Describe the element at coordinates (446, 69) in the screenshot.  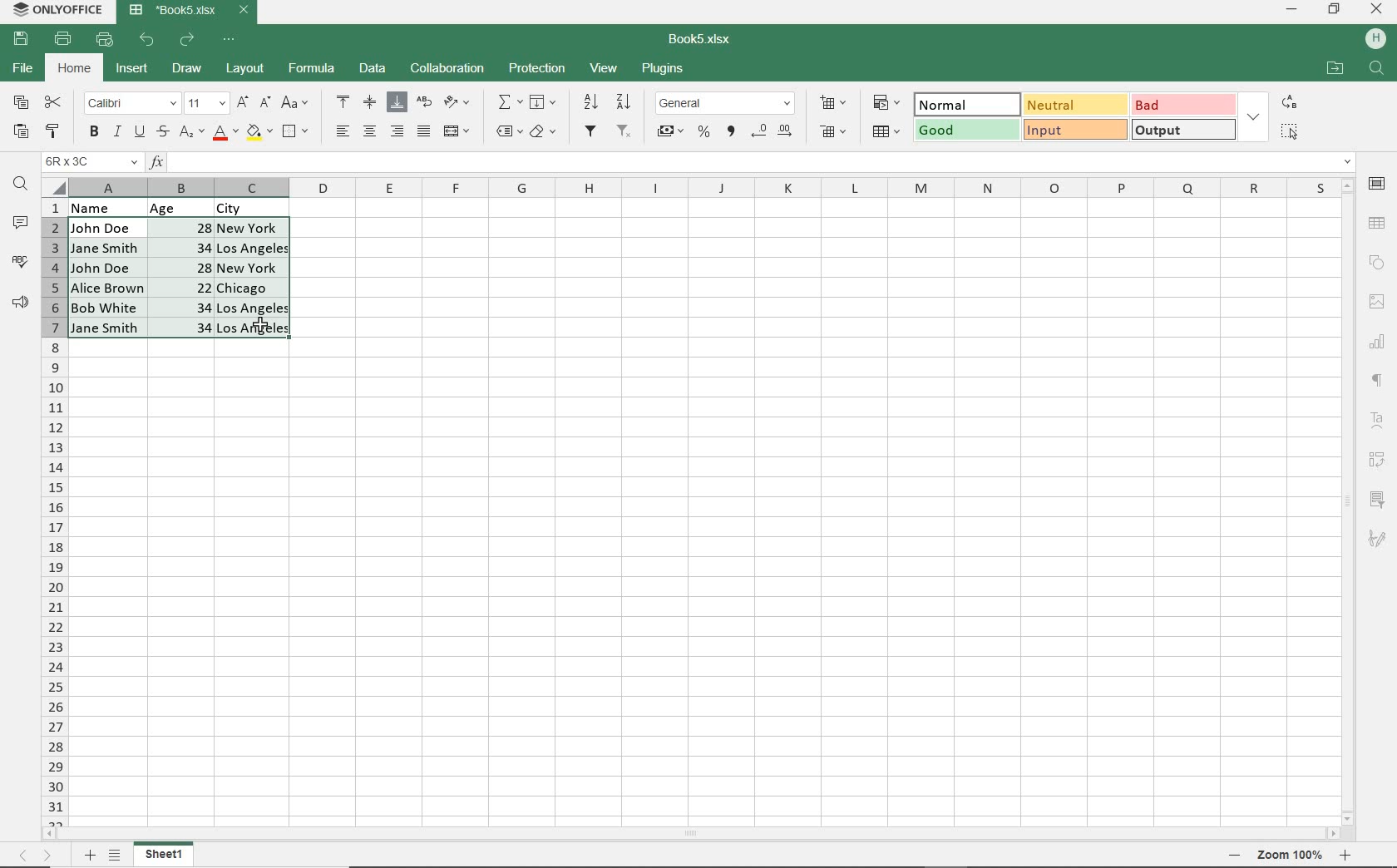
I see `COLLABORATION` at that location.